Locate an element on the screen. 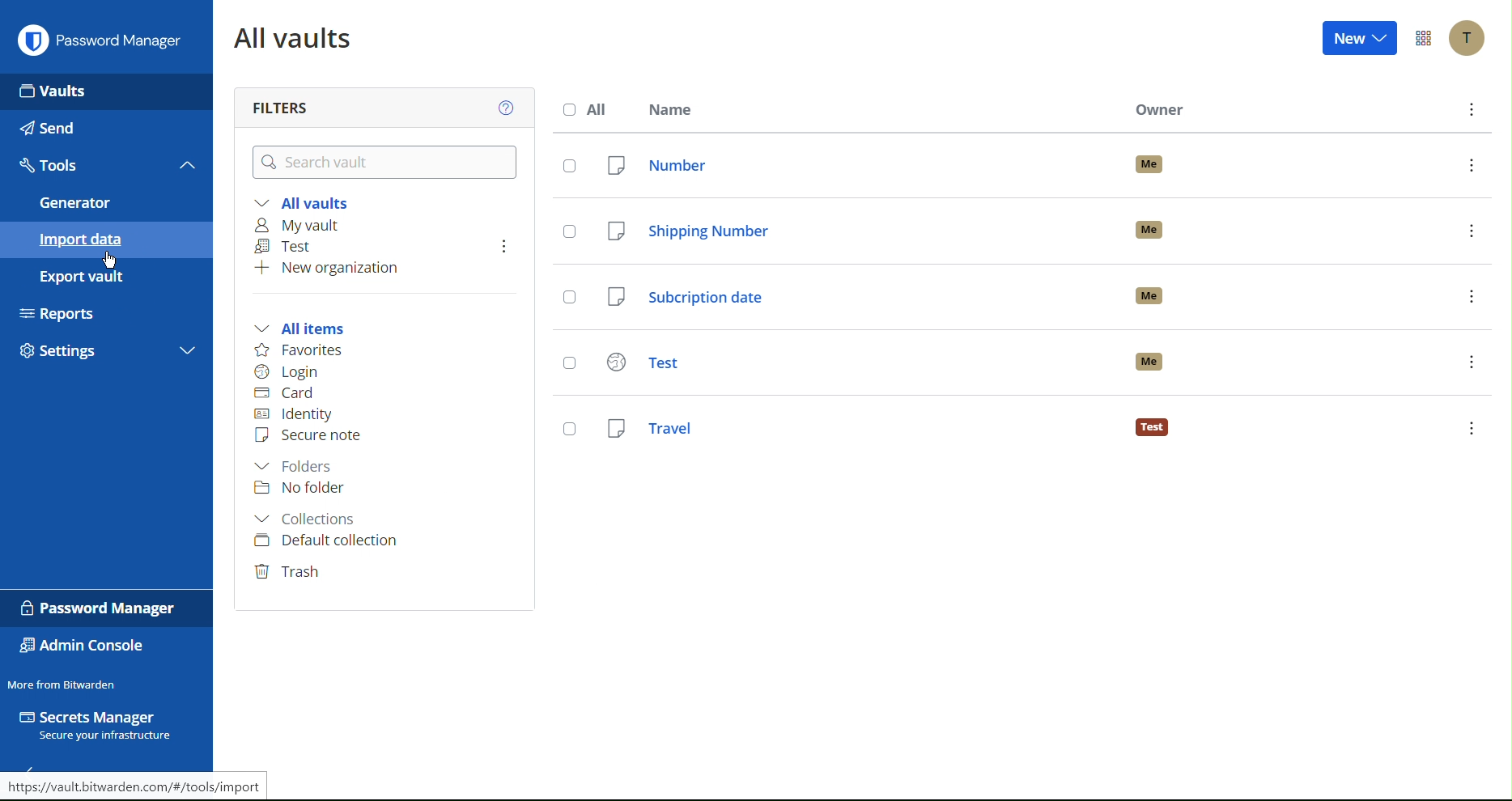 The height and width of the screenshot is (801, 1512). Vaults is located at coordinates (107, 90).